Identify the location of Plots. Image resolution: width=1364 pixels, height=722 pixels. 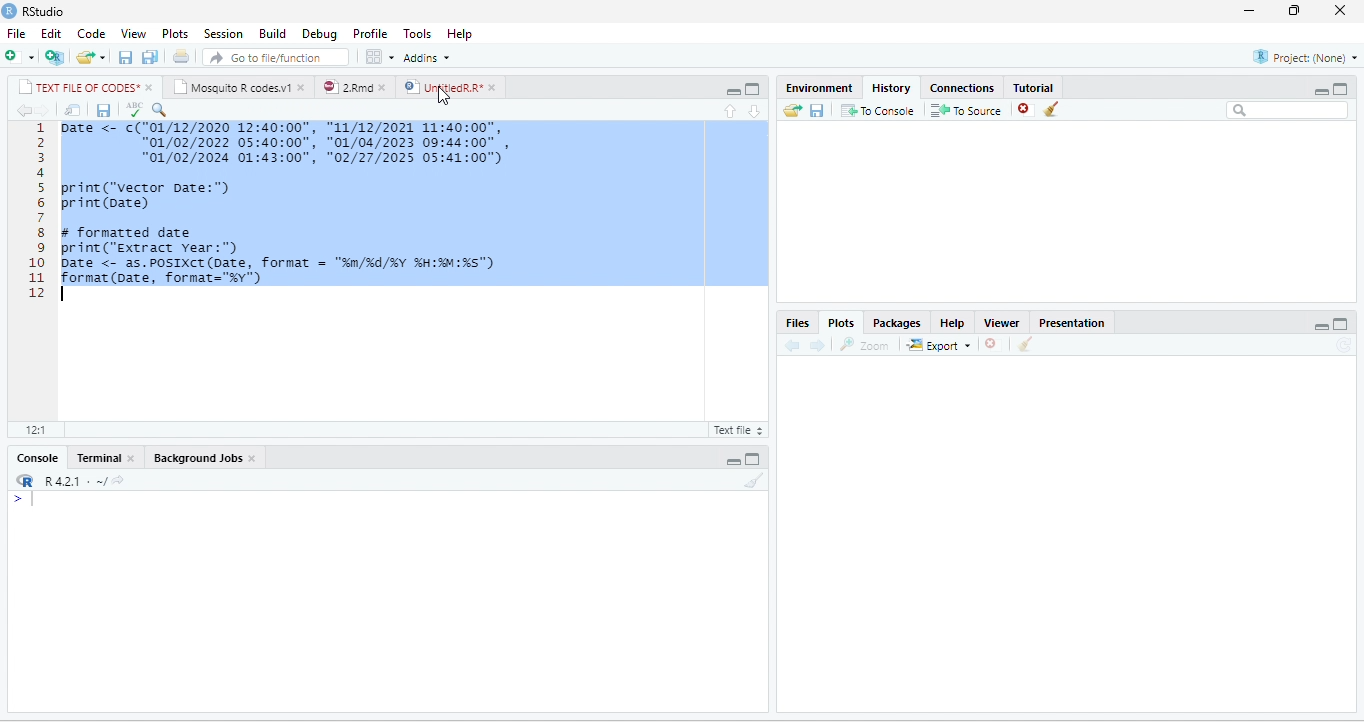
(175, 34).